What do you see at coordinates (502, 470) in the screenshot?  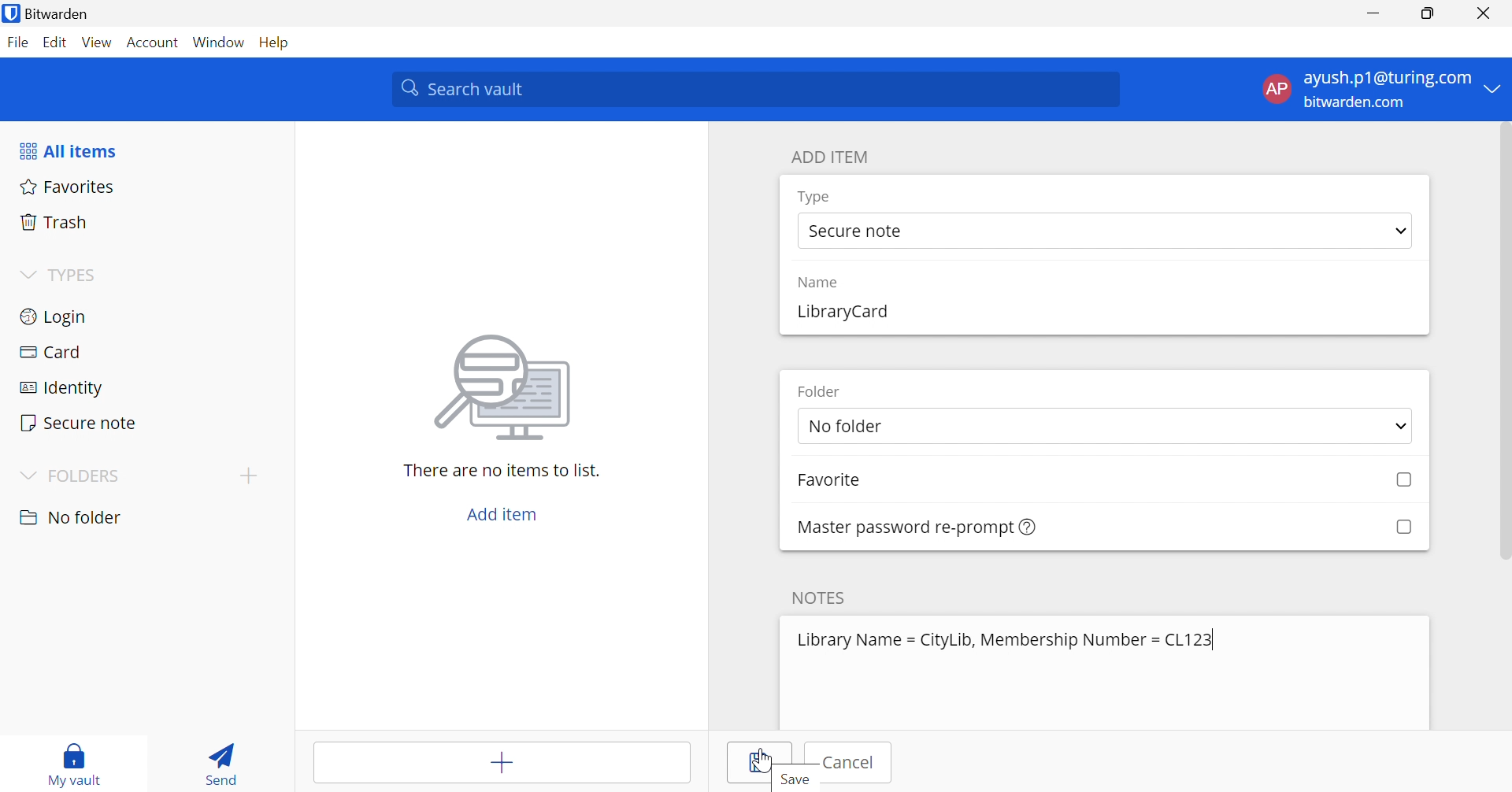 I see `There are no items to list.` at bounding box center [502, 470].